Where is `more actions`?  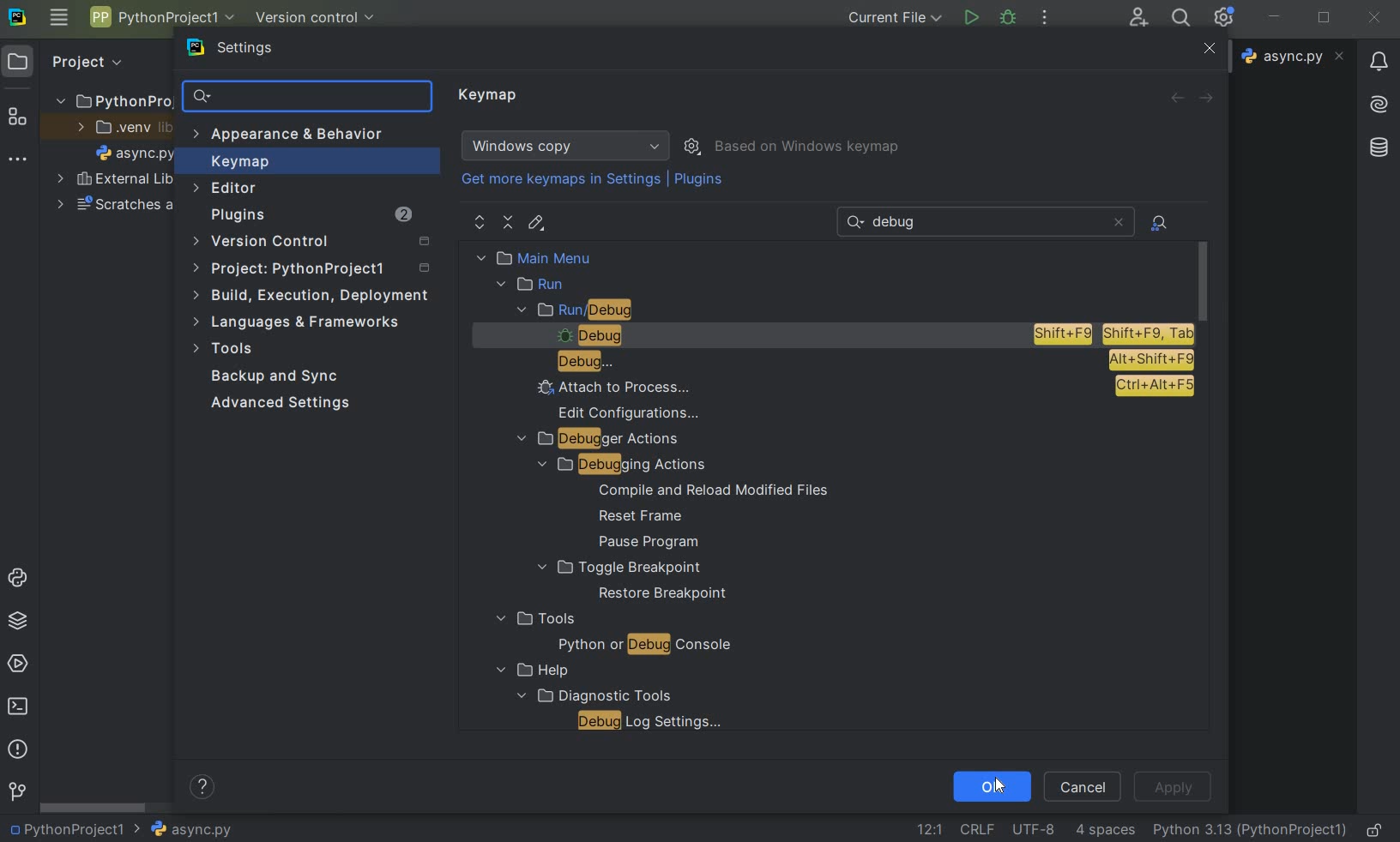 more actions is located at coordinates (1044, 19).